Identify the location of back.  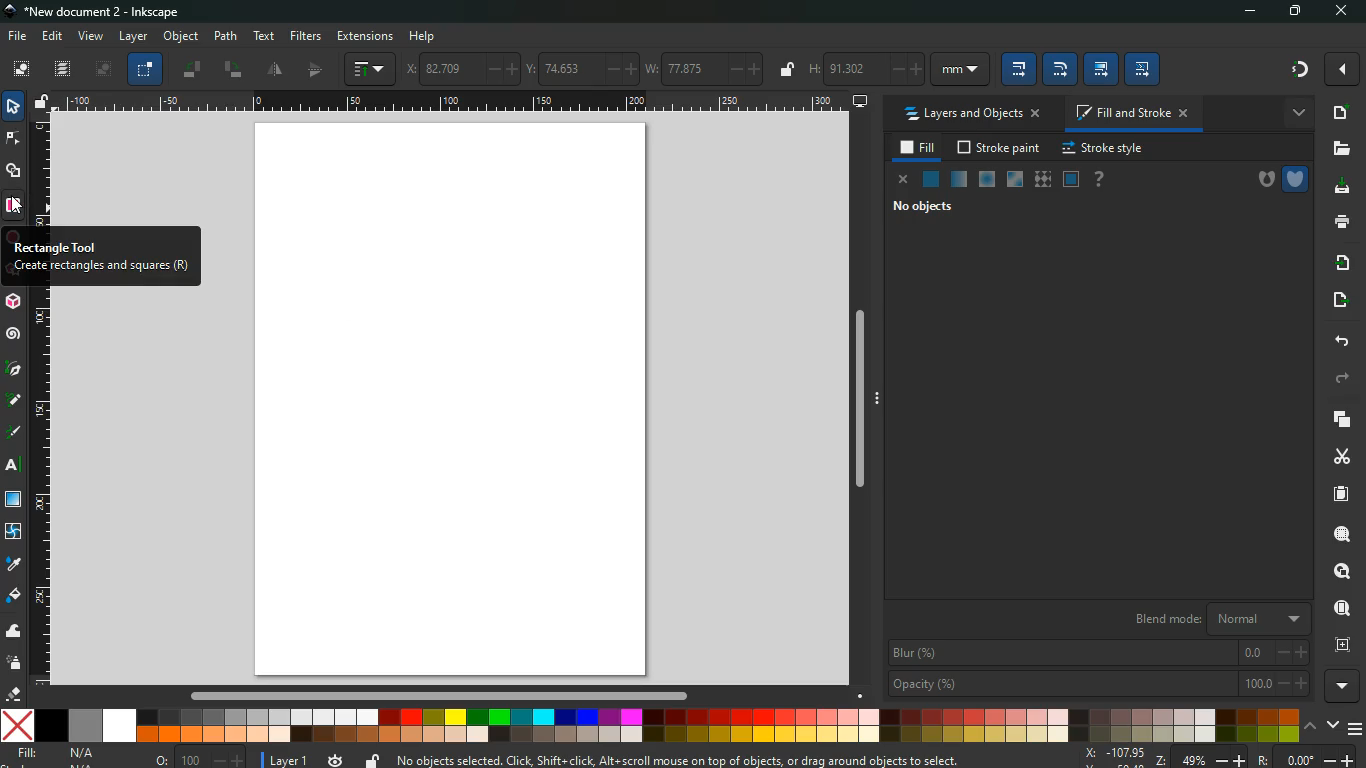
(1342, 341).